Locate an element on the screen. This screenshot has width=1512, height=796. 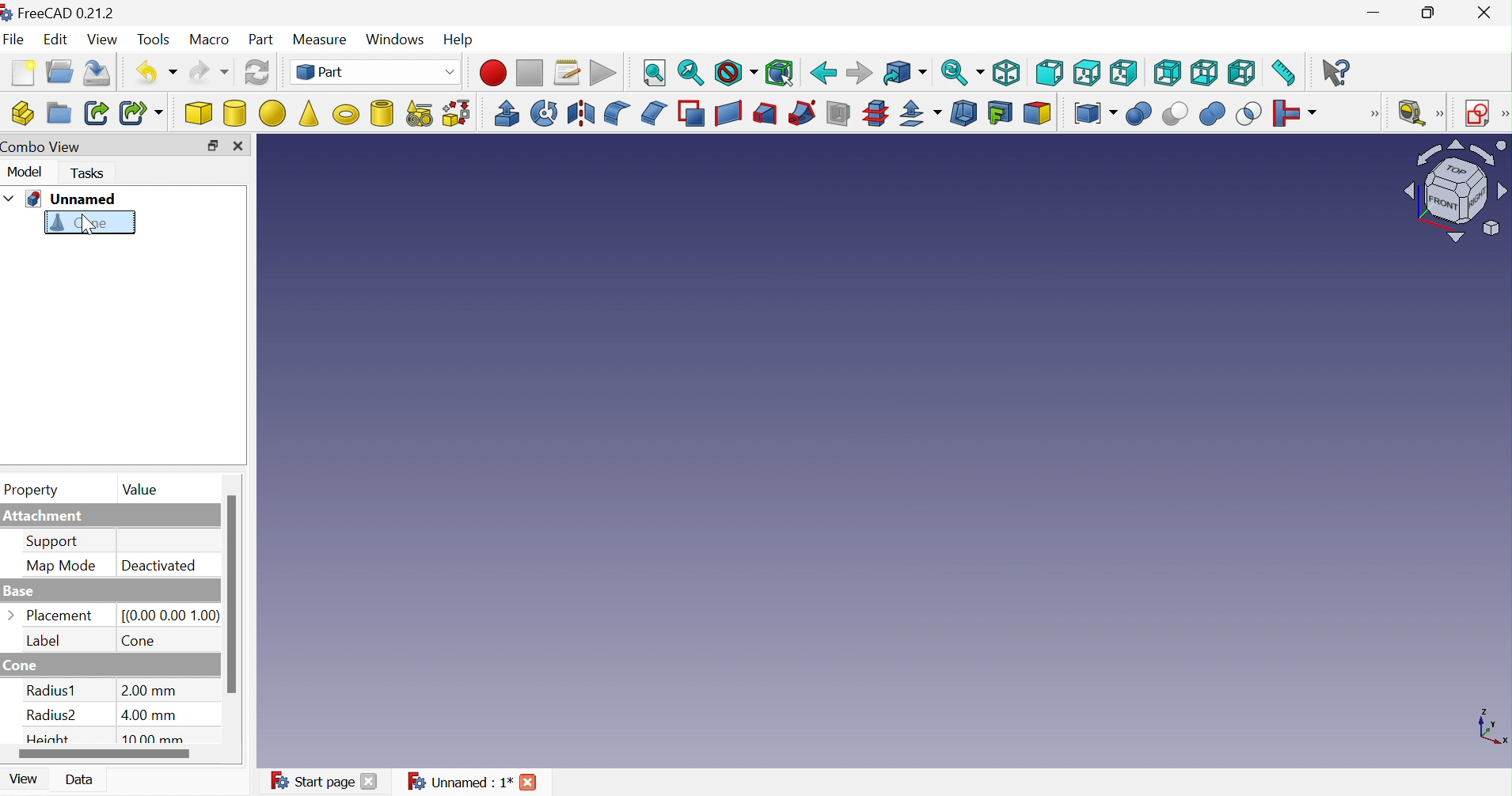
Create tube is located at coordinates (379, 112).